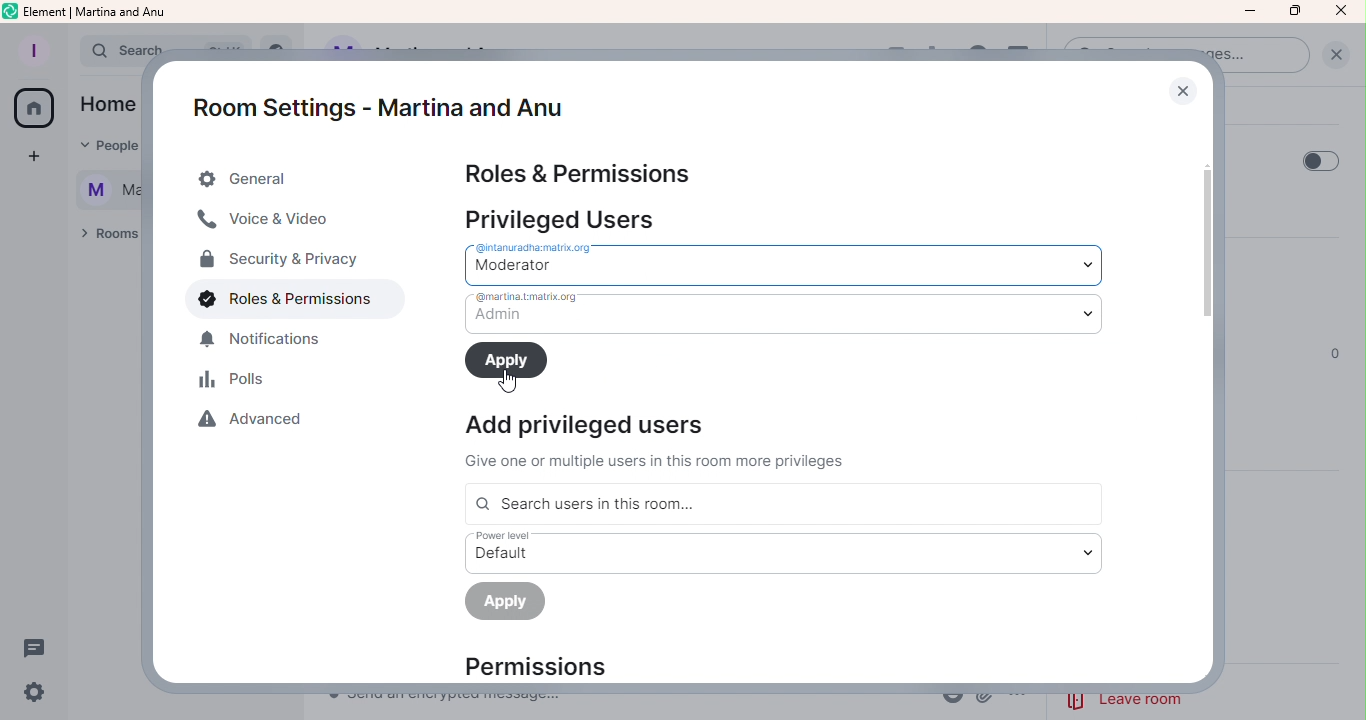 This screenshot has width=1366, height=720. I want to click on Rooms, so click(104, 238).